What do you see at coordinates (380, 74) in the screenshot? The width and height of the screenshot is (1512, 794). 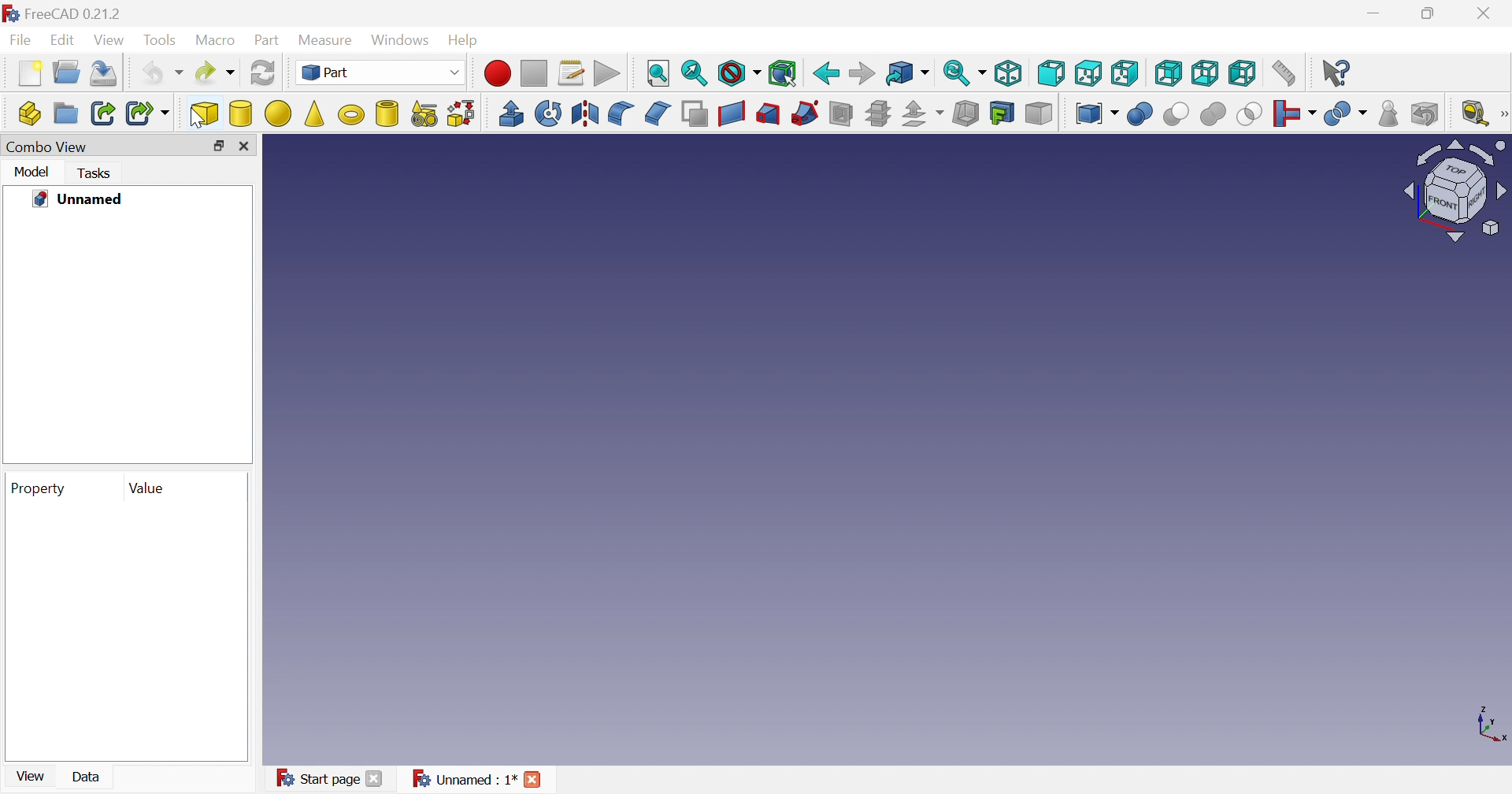 I see `Part` at bounding box center [380, 74].